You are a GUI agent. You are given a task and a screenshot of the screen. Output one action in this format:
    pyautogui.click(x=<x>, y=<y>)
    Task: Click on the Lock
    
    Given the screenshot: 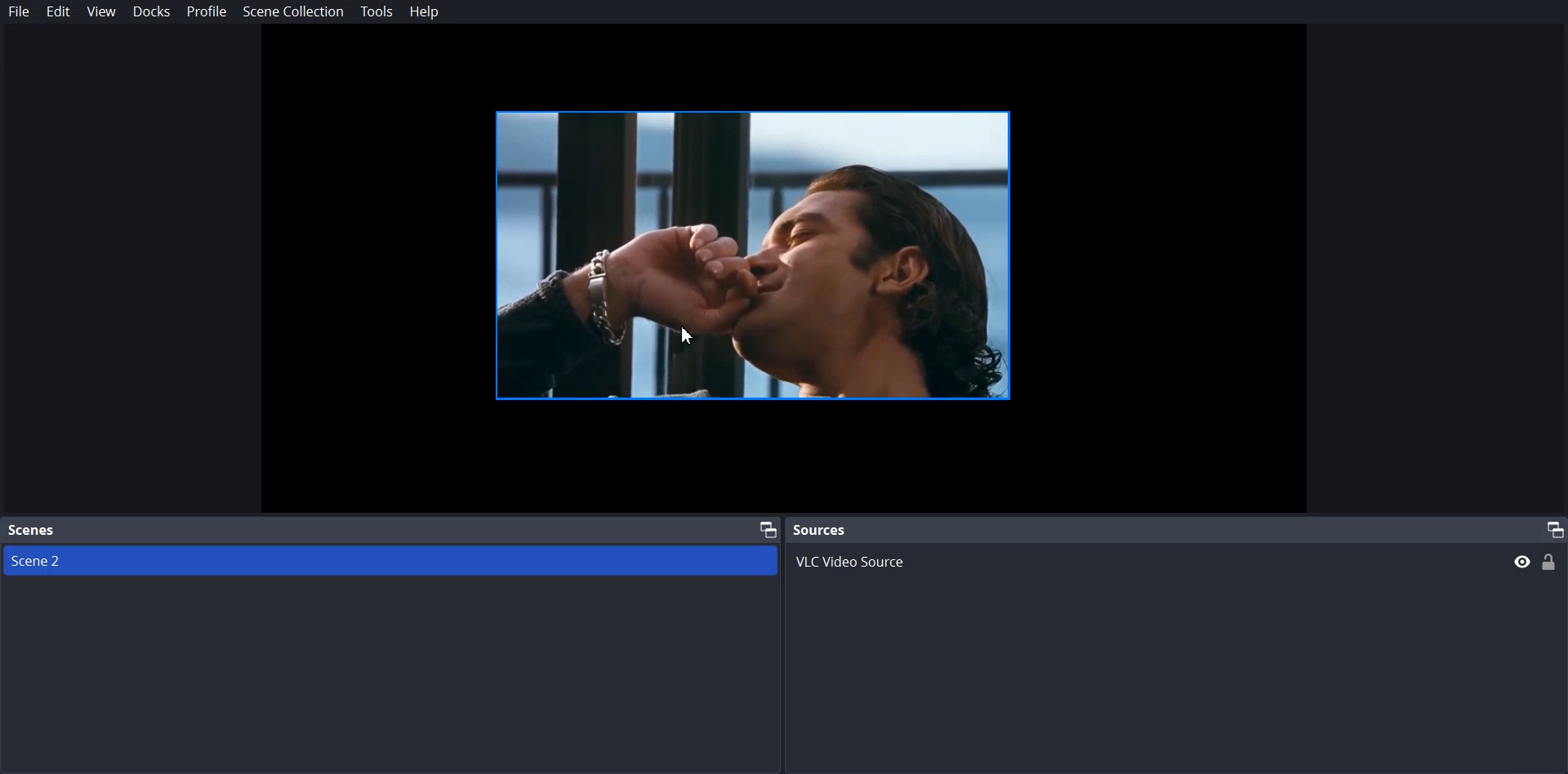 What is the action you would take?
    pyautogui.click(x=1550, y=562)
    